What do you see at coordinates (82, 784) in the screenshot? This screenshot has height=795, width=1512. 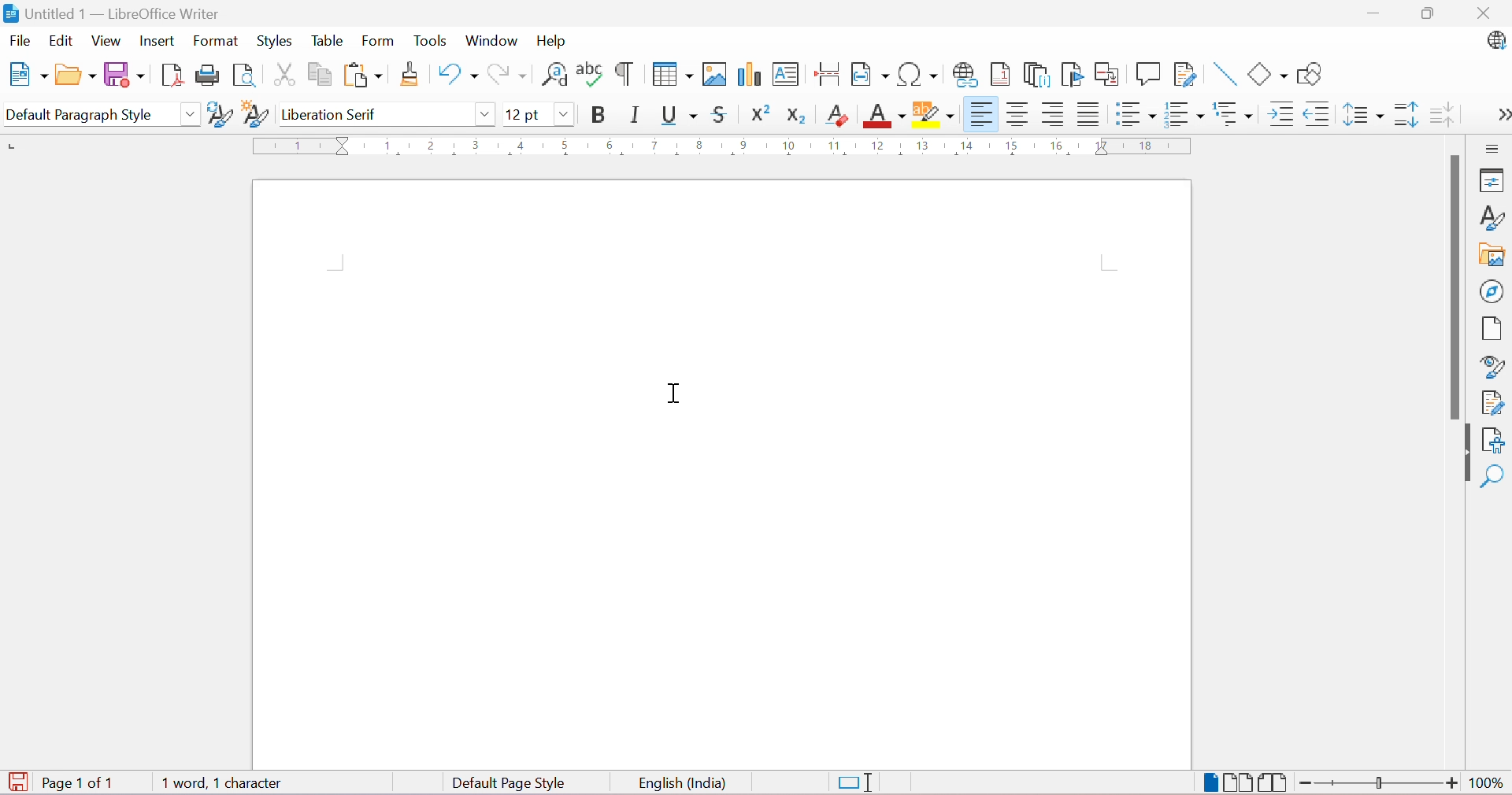 I see `Page 1 of 1` at bounding box center [82, 784].